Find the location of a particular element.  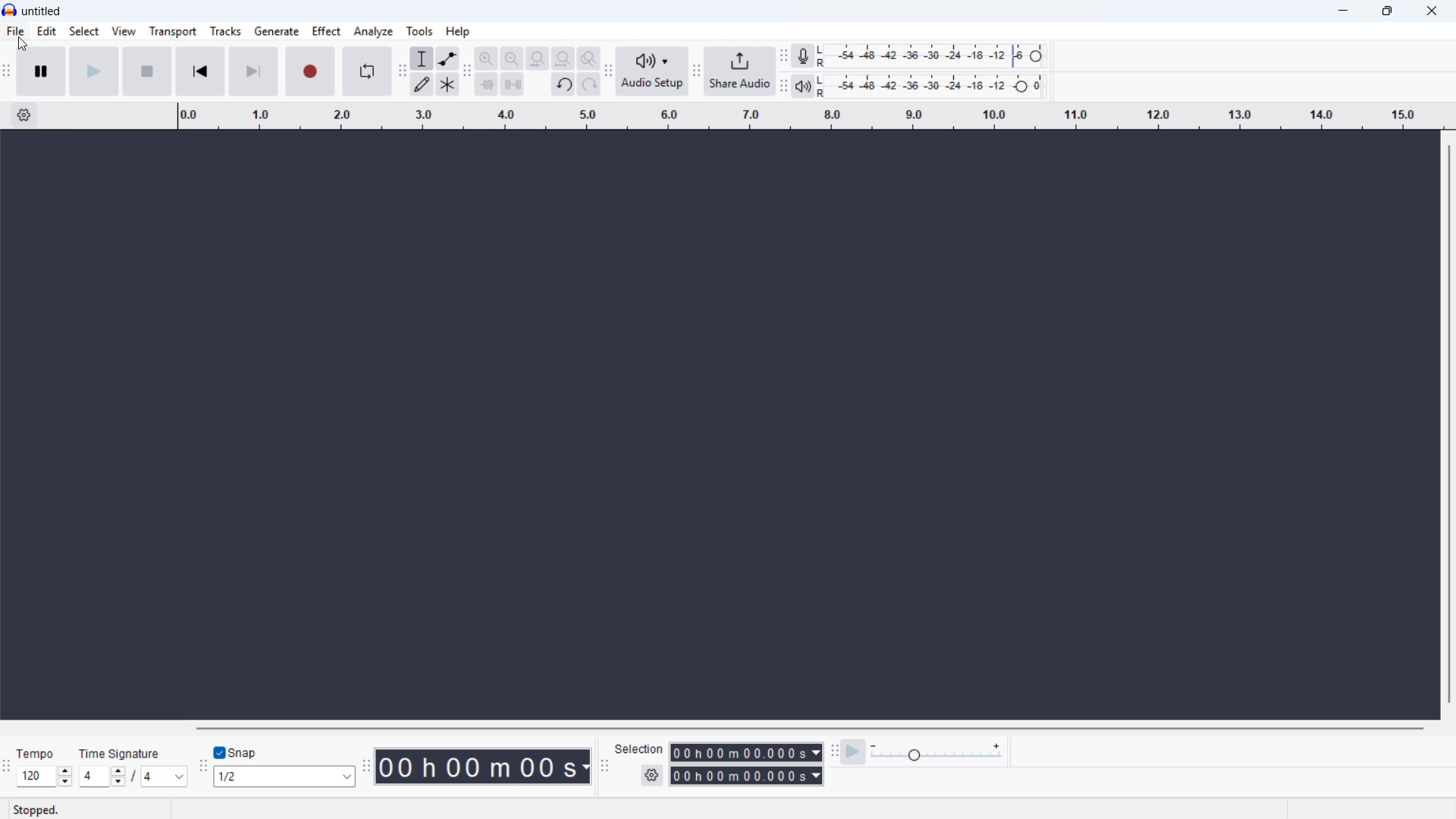

Selection settings  is located at coordinates (652, 775).